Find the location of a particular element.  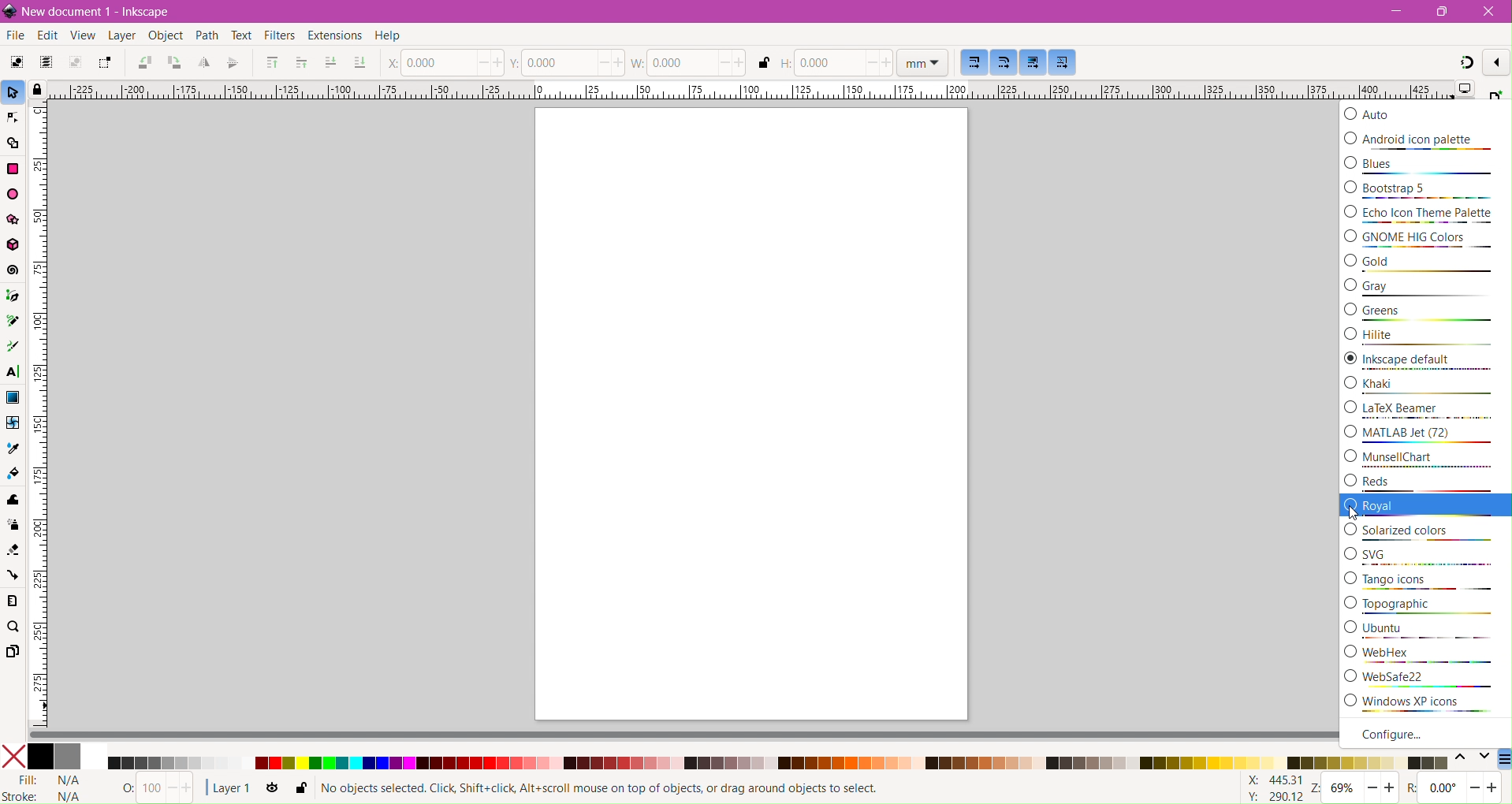

Dropper Tool is located at coordinates (12, 448).